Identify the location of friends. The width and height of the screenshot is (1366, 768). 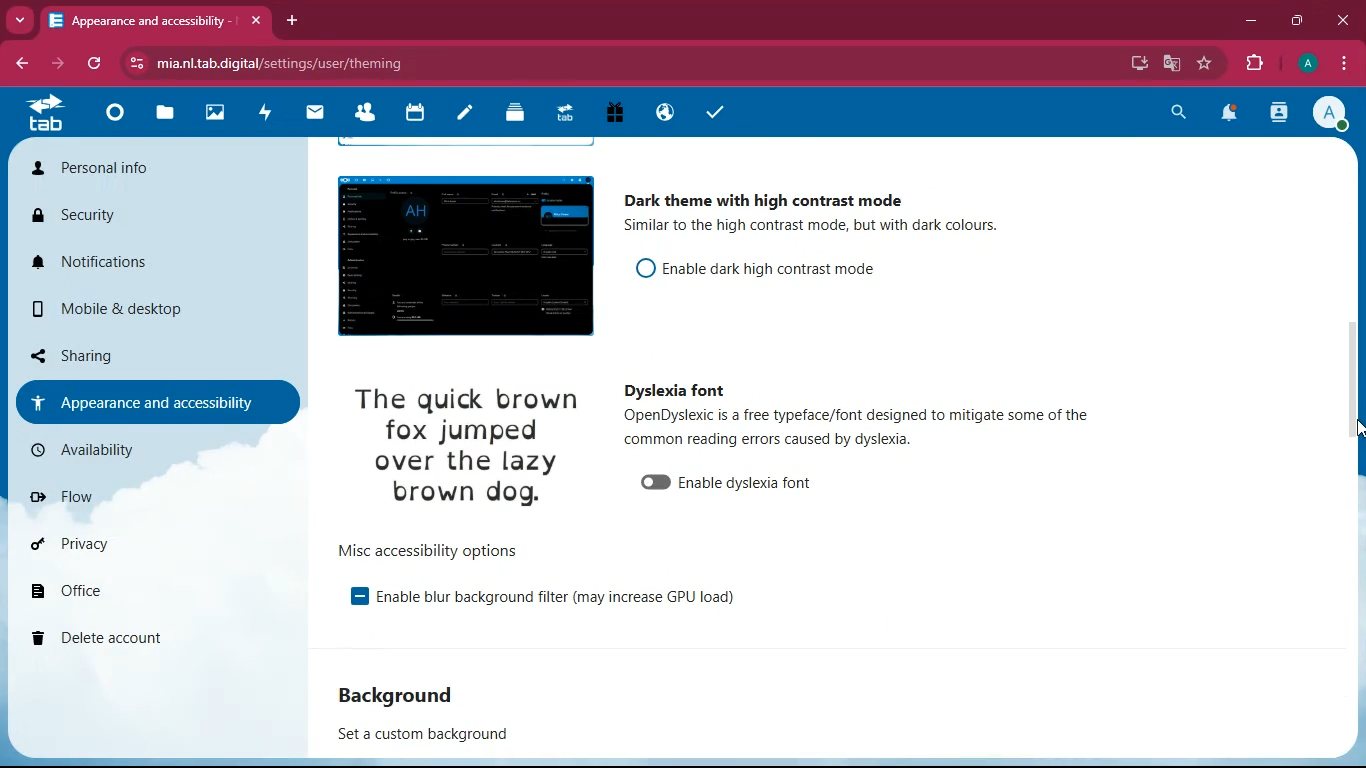
(371, 112).